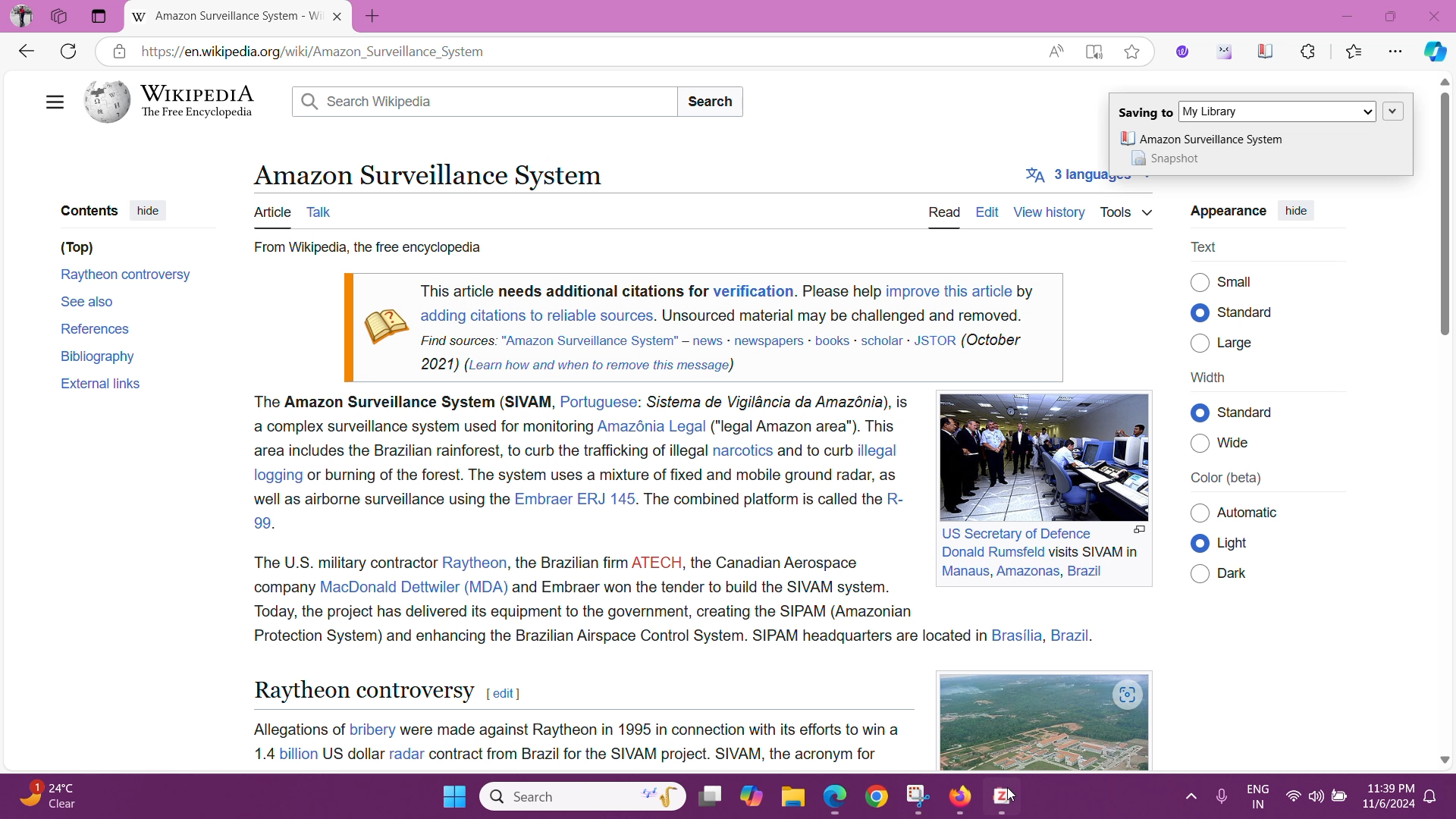  I want to click on Copilot, so click(1433, 52).